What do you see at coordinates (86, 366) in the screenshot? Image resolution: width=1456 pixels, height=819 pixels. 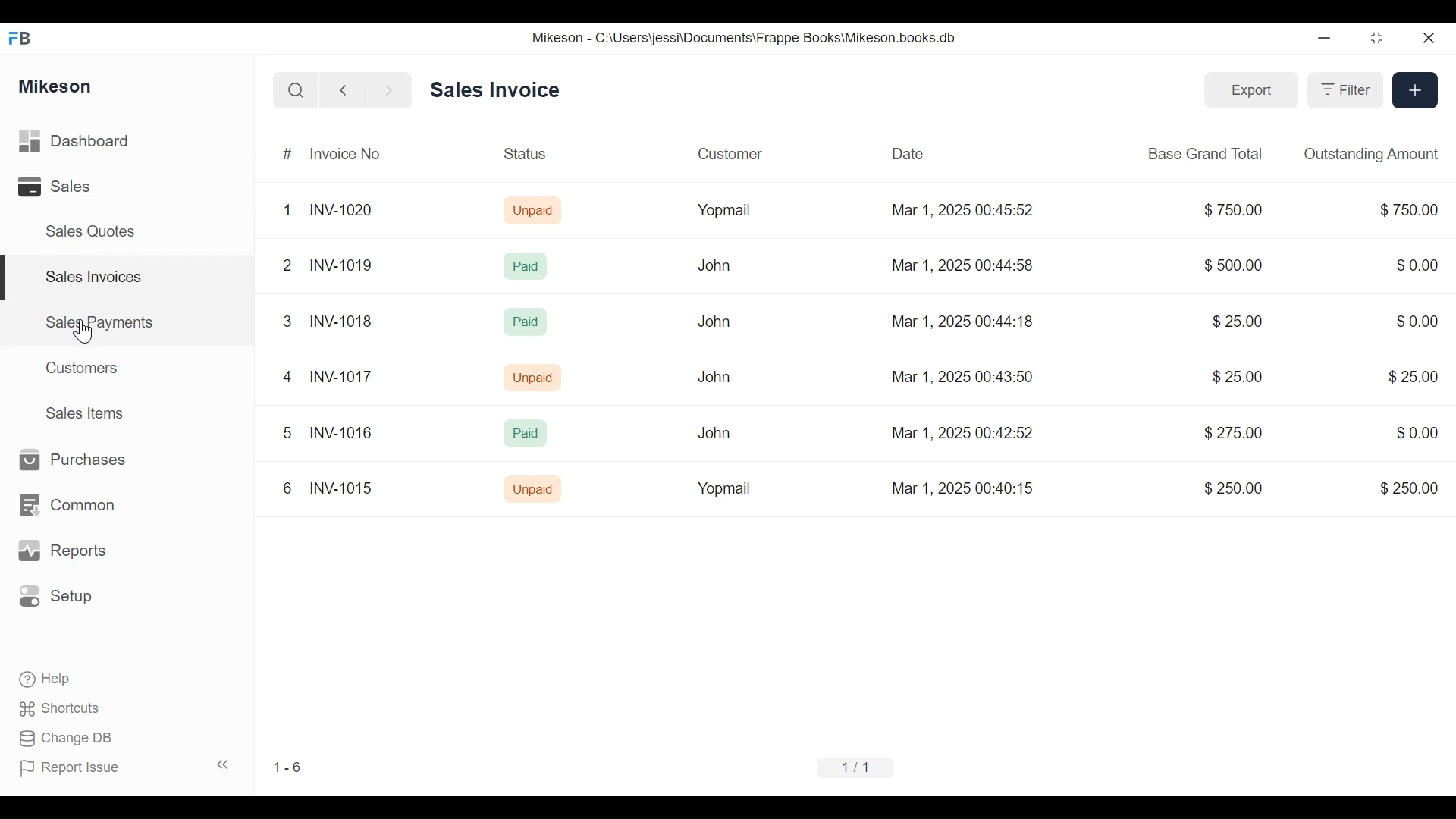 I see `Customers` at bounding box center [86, 366].